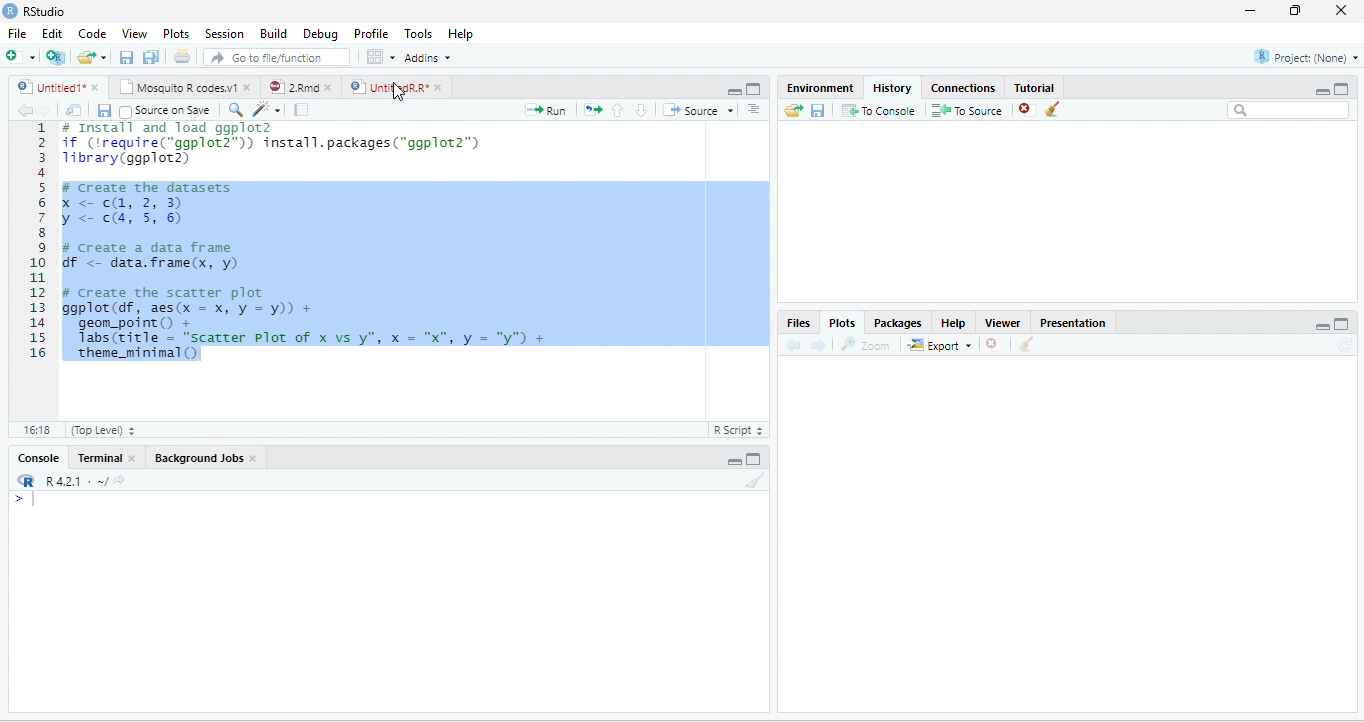 The height and width of the screenshot is (722, 1364). I want to click on Export, so click(939, 345).